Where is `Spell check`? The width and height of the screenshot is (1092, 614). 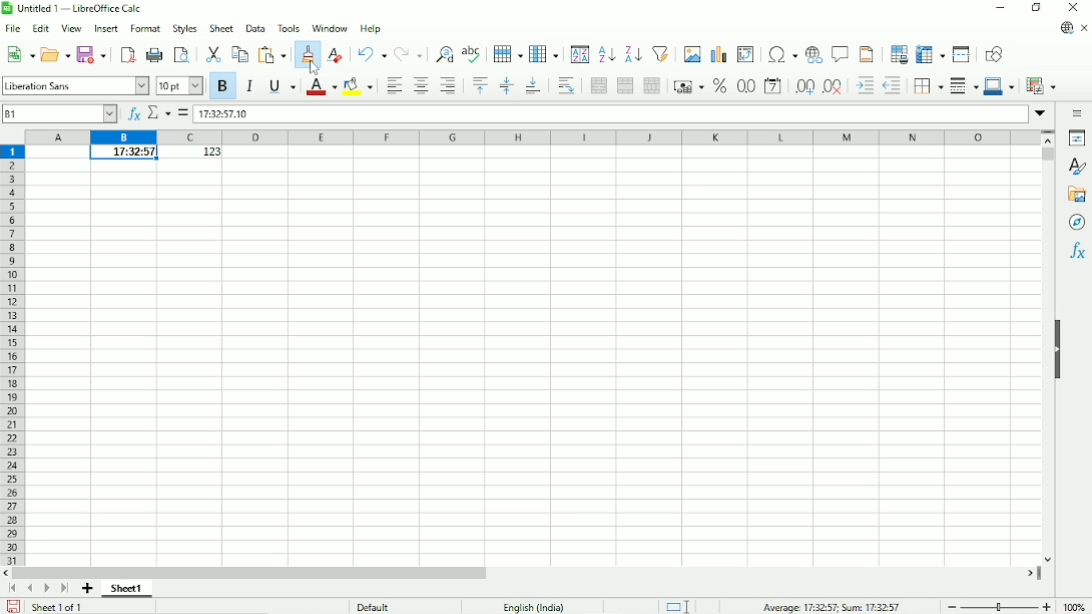
Spell check is located at coordinates (472, 53).